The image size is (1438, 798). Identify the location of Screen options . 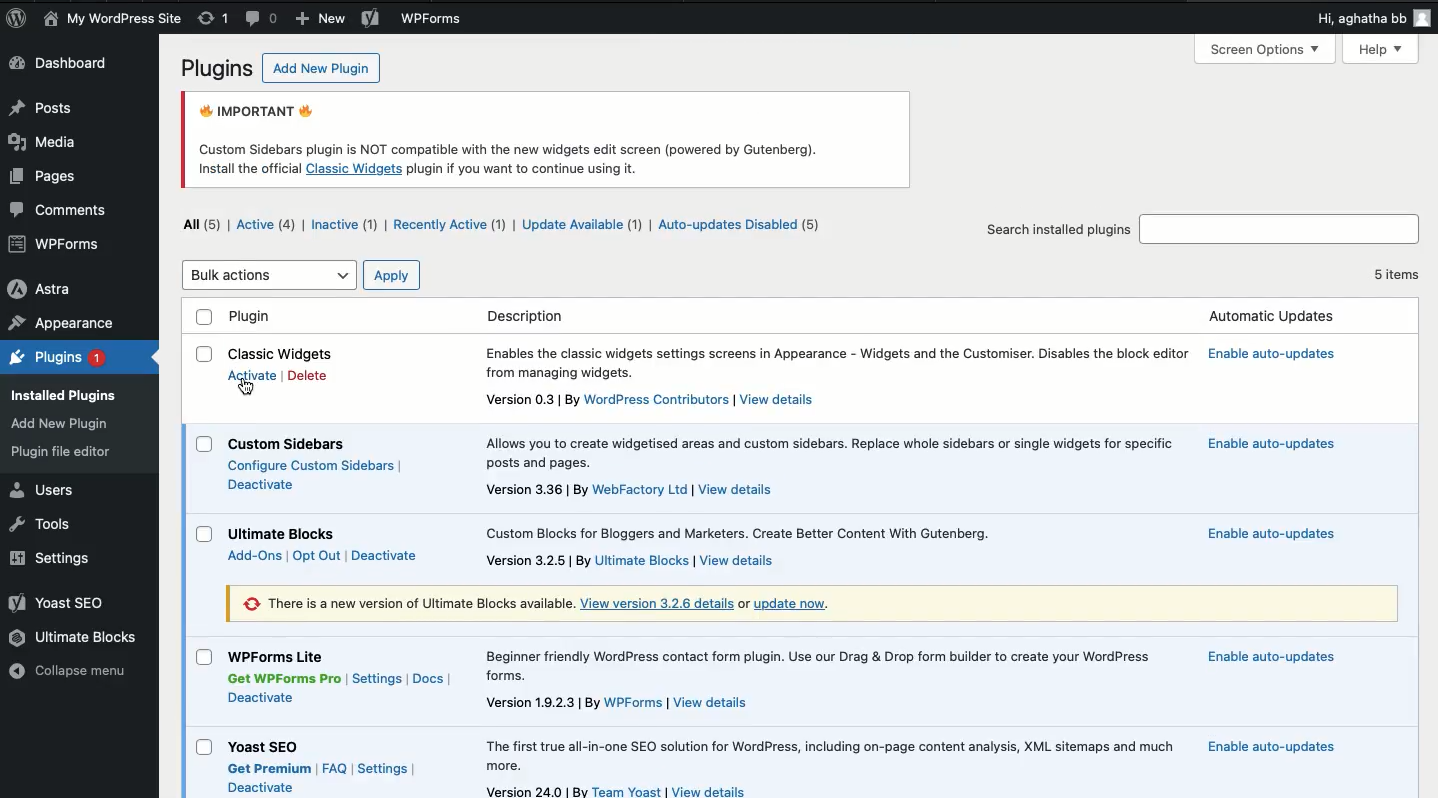
(1266, 50).